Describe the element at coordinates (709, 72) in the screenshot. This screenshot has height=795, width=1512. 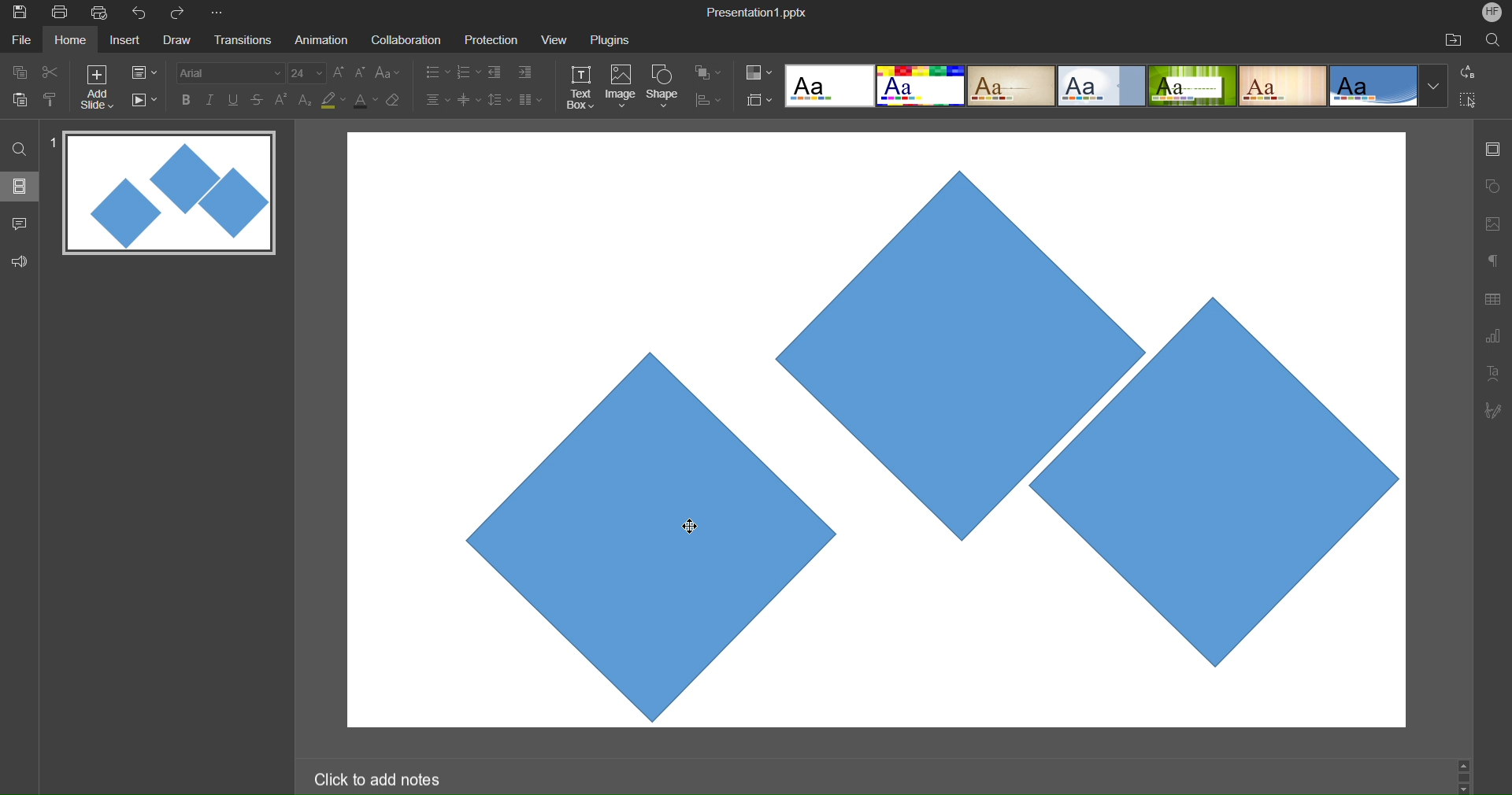
I see `Arrange` at that location.